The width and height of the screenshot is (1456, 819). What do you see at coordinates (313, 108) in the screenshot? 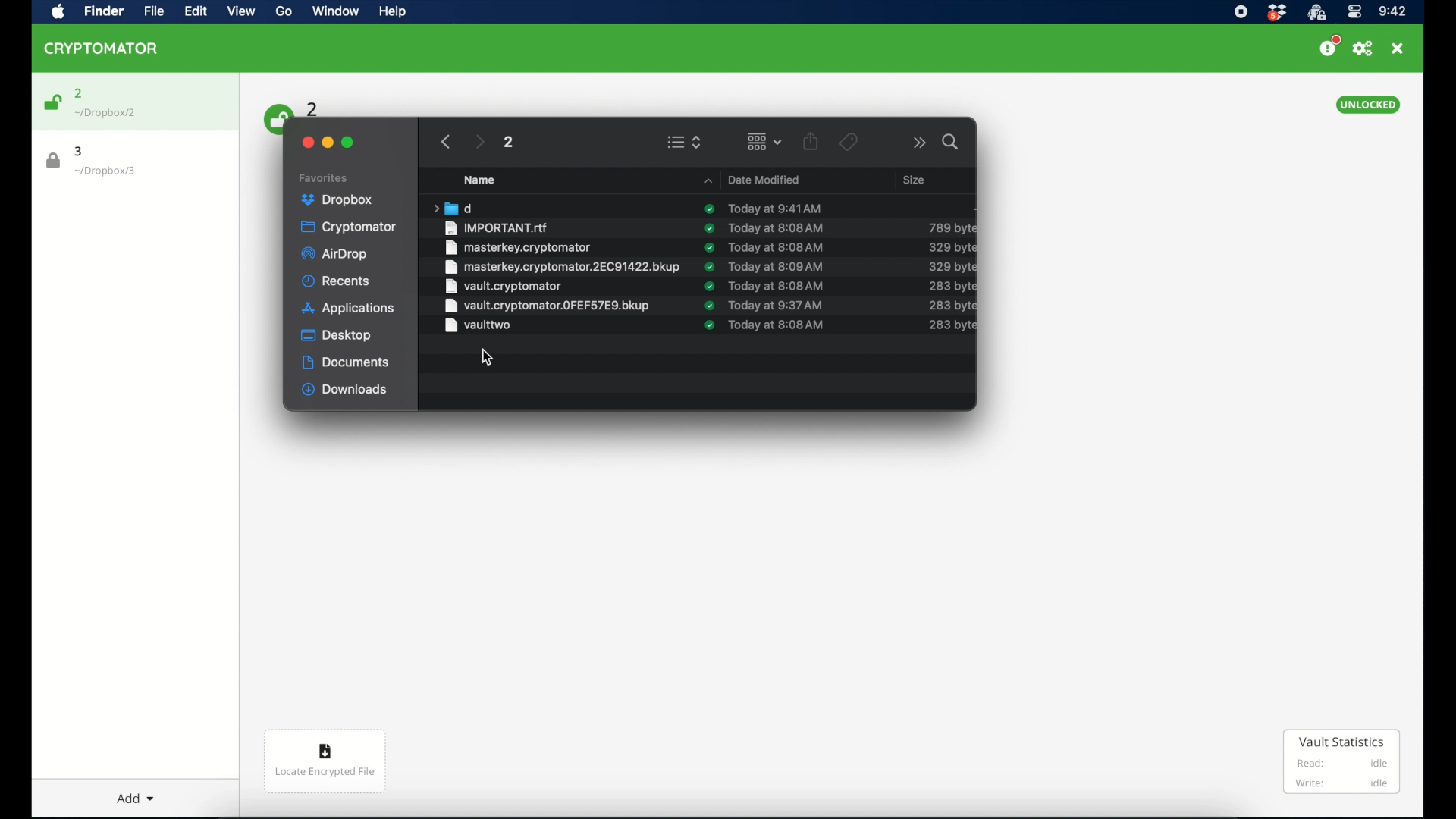
I see `2` at bounding box center [313, 108].